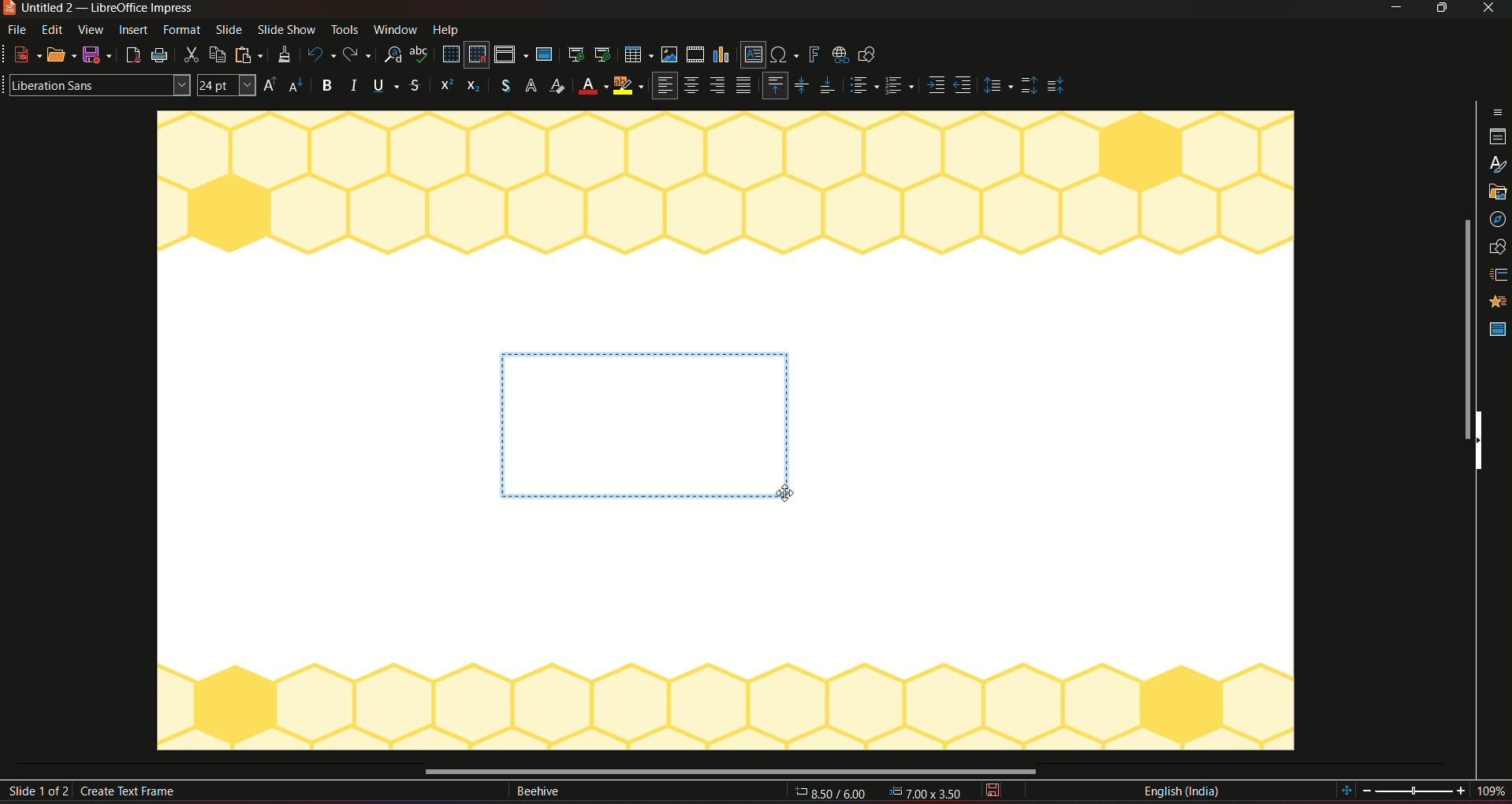 Image resolution: width=1512 pixels, height=804 pixels. Describe the element at coordinates (693, 87) in the screenshot. I see `Align center` at that location.